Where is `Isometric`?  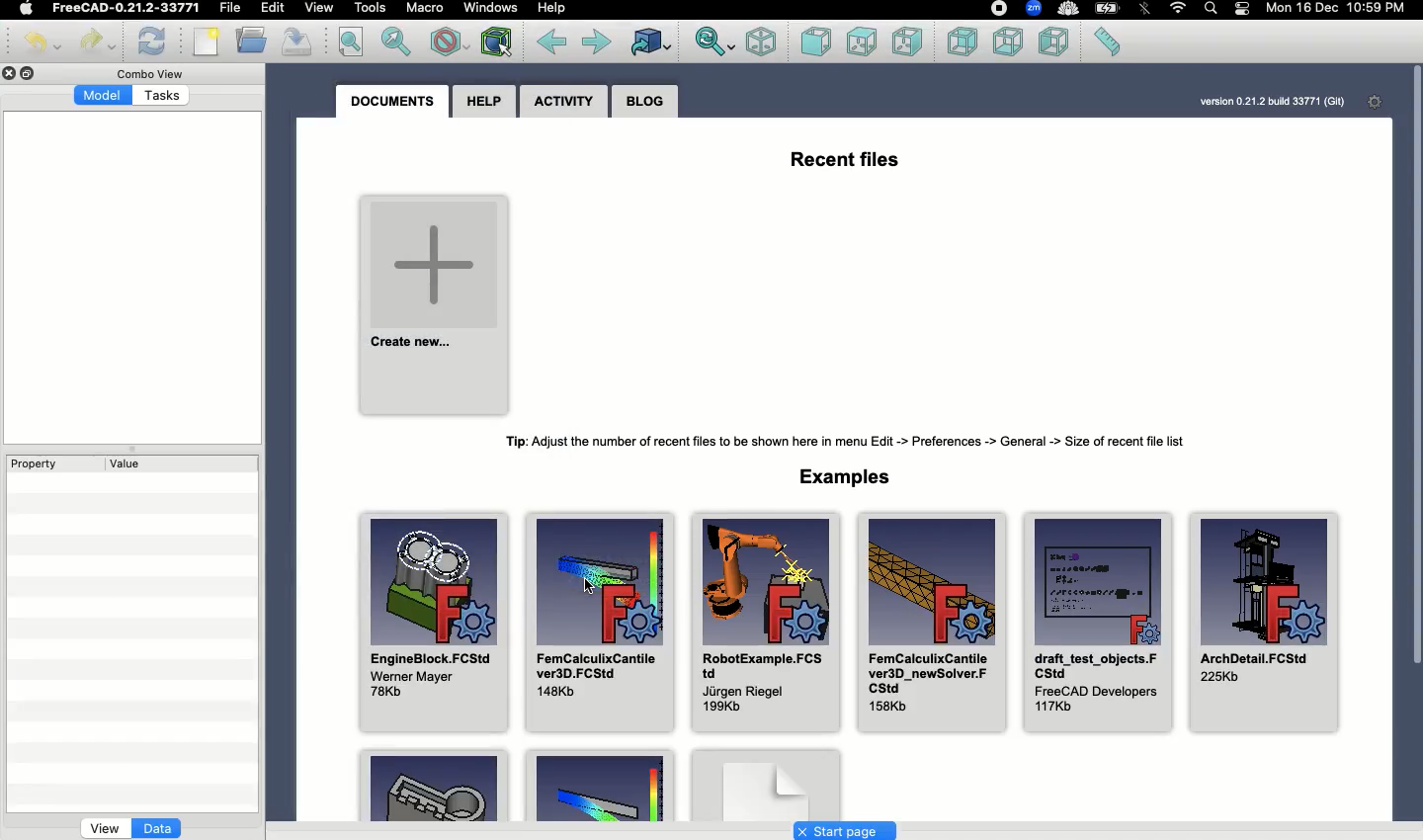
Isometric is located at coordinates (767, 40).